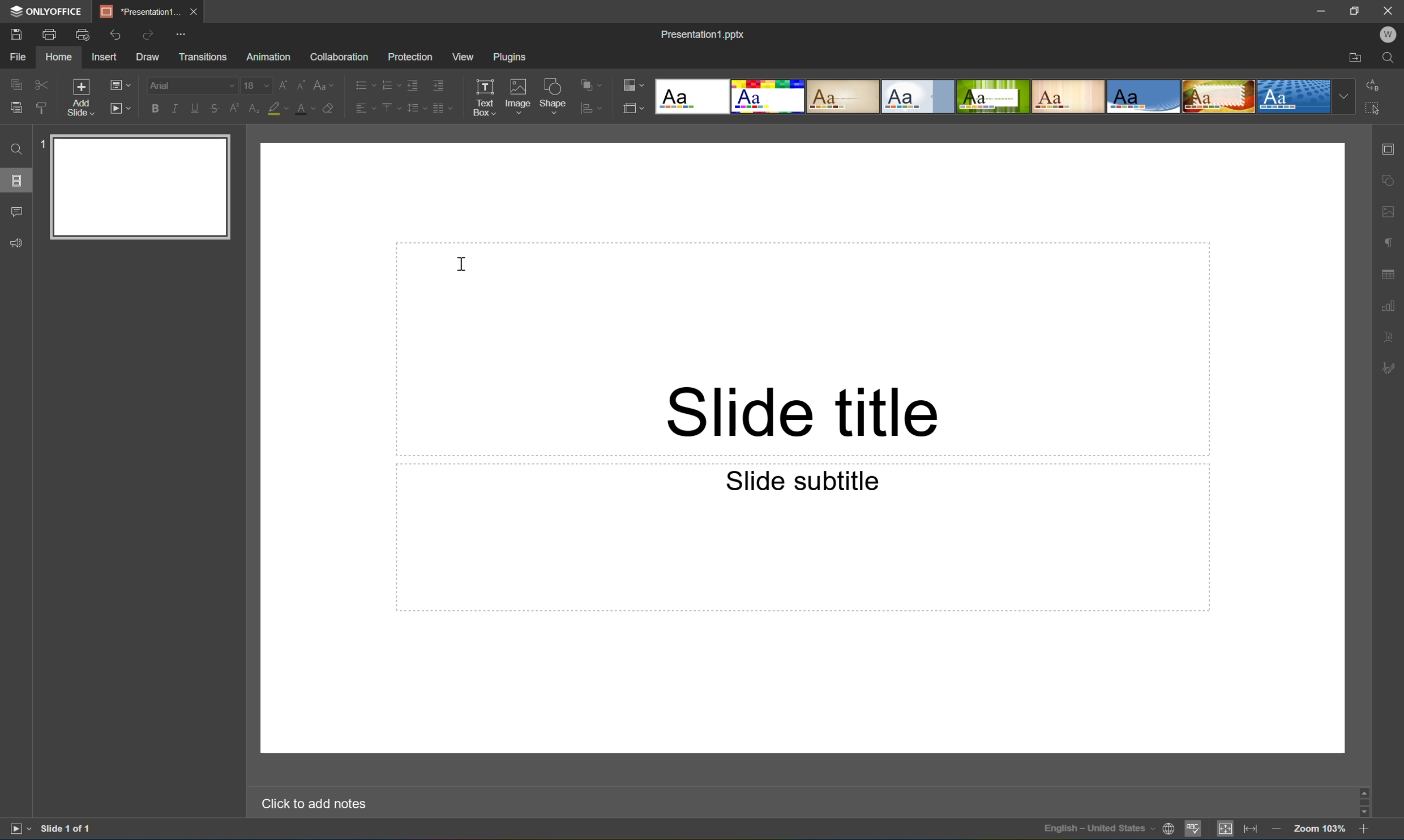 The height and width of the screenshot is (840, 1404). I want to click on Slide title, so click(802, 412).